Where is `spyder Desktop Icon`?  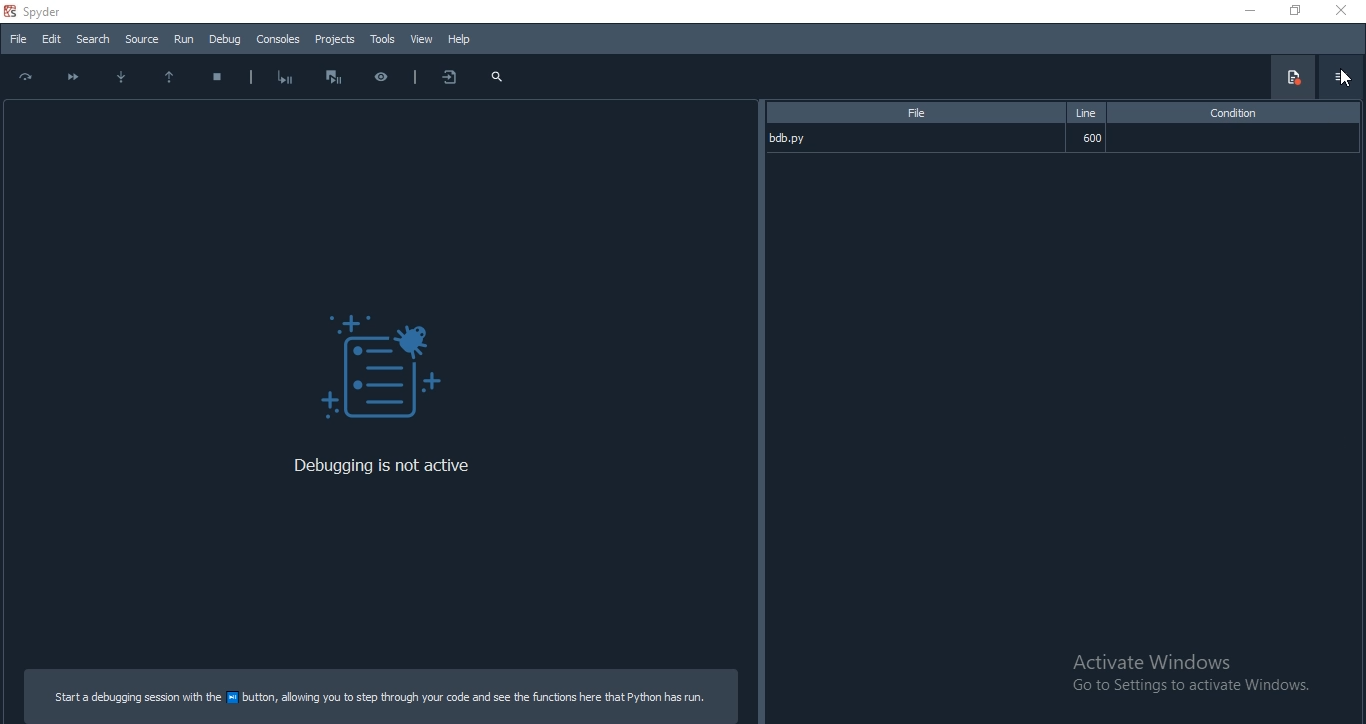
spyder Desktop Icon is located at coordinates (35, 11).